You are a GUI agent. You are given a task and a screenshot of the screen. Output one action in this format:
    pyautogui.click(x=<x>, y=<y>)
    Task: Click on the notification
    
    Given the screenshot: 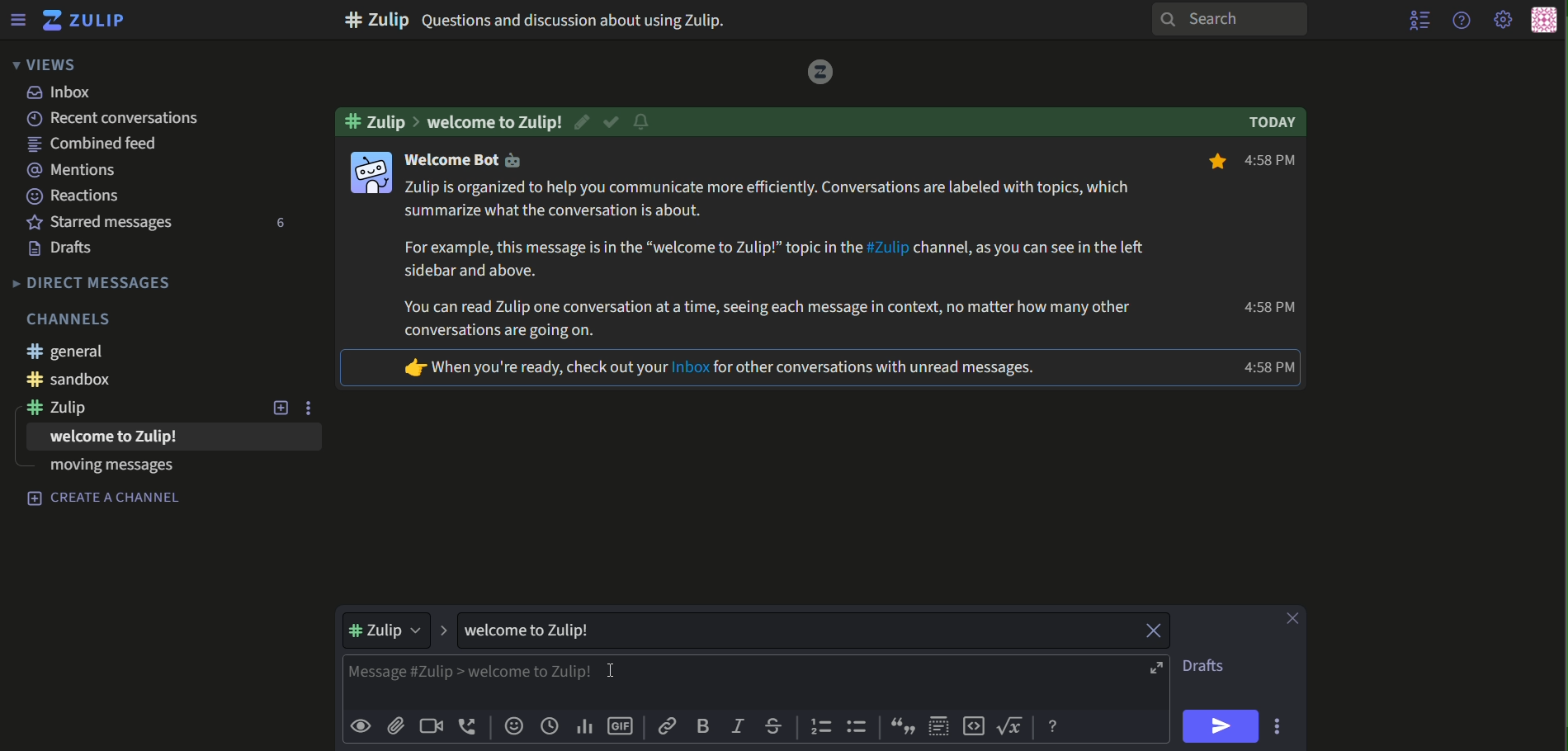 What is the action you would take?
    pyautogui.click(x=641, y=124)
    